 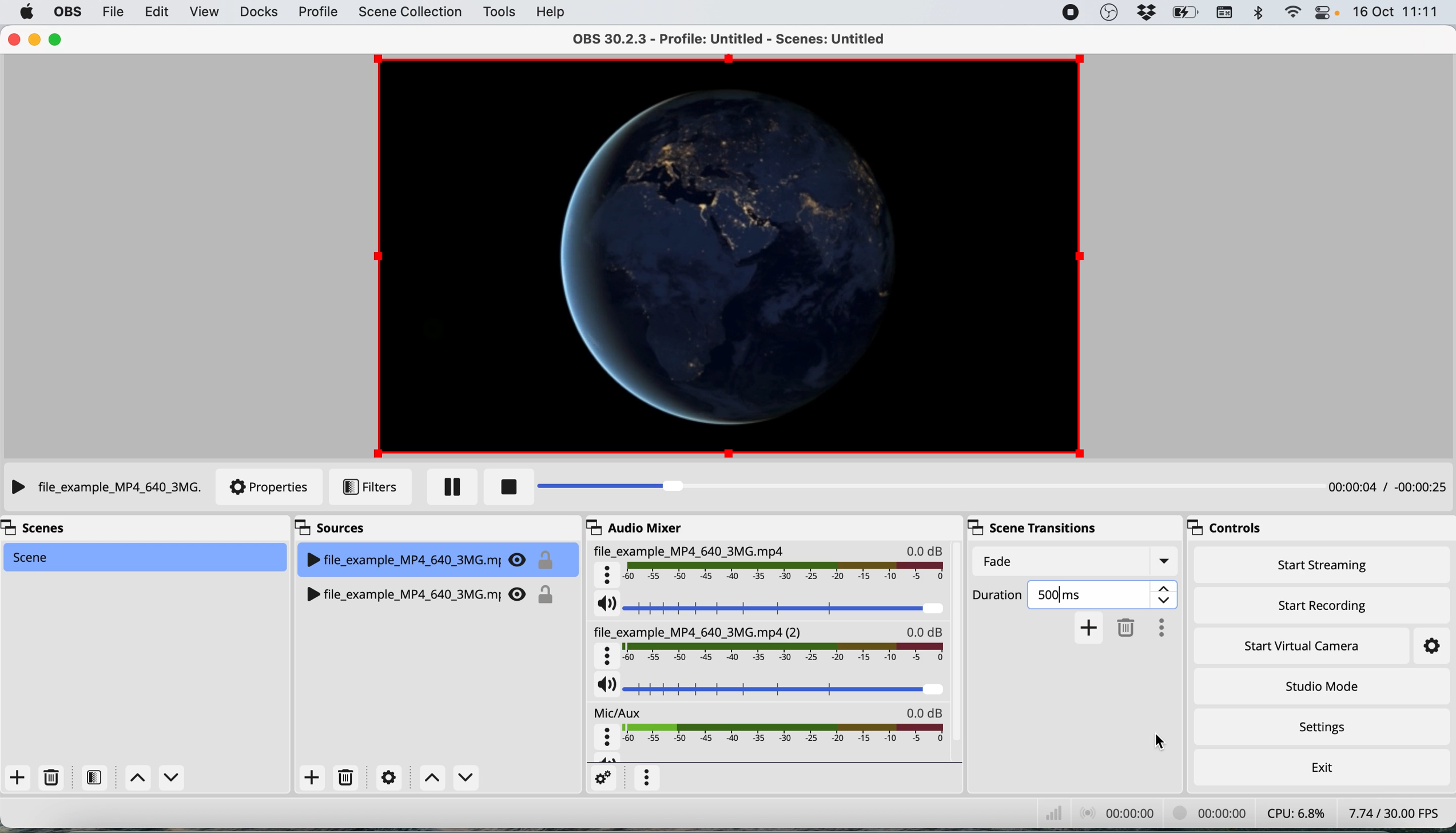 I want to click on source audio volume, so click(x=769, y=686).